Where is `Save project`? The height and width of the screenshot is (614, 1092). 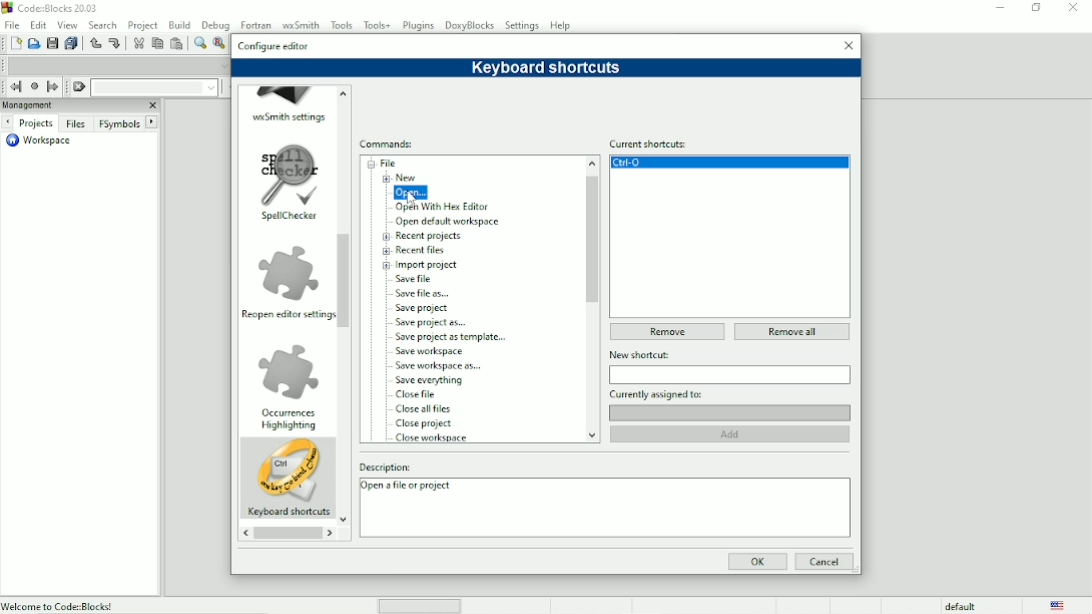 Save project is located at coordinates (425, 308).